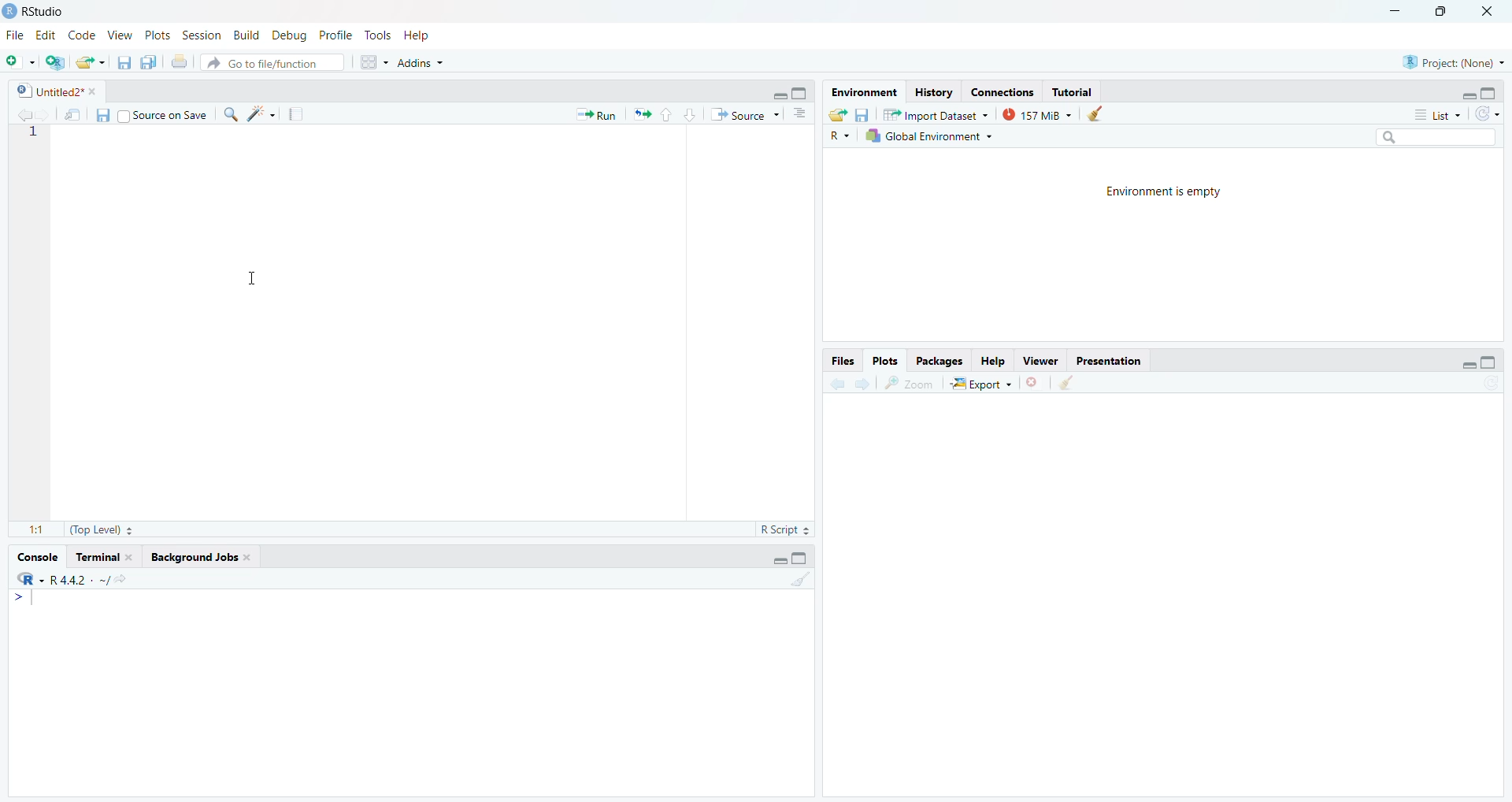 This screenshot has height=802, width=1512. I want to click on minimize, so click(1471, 94).